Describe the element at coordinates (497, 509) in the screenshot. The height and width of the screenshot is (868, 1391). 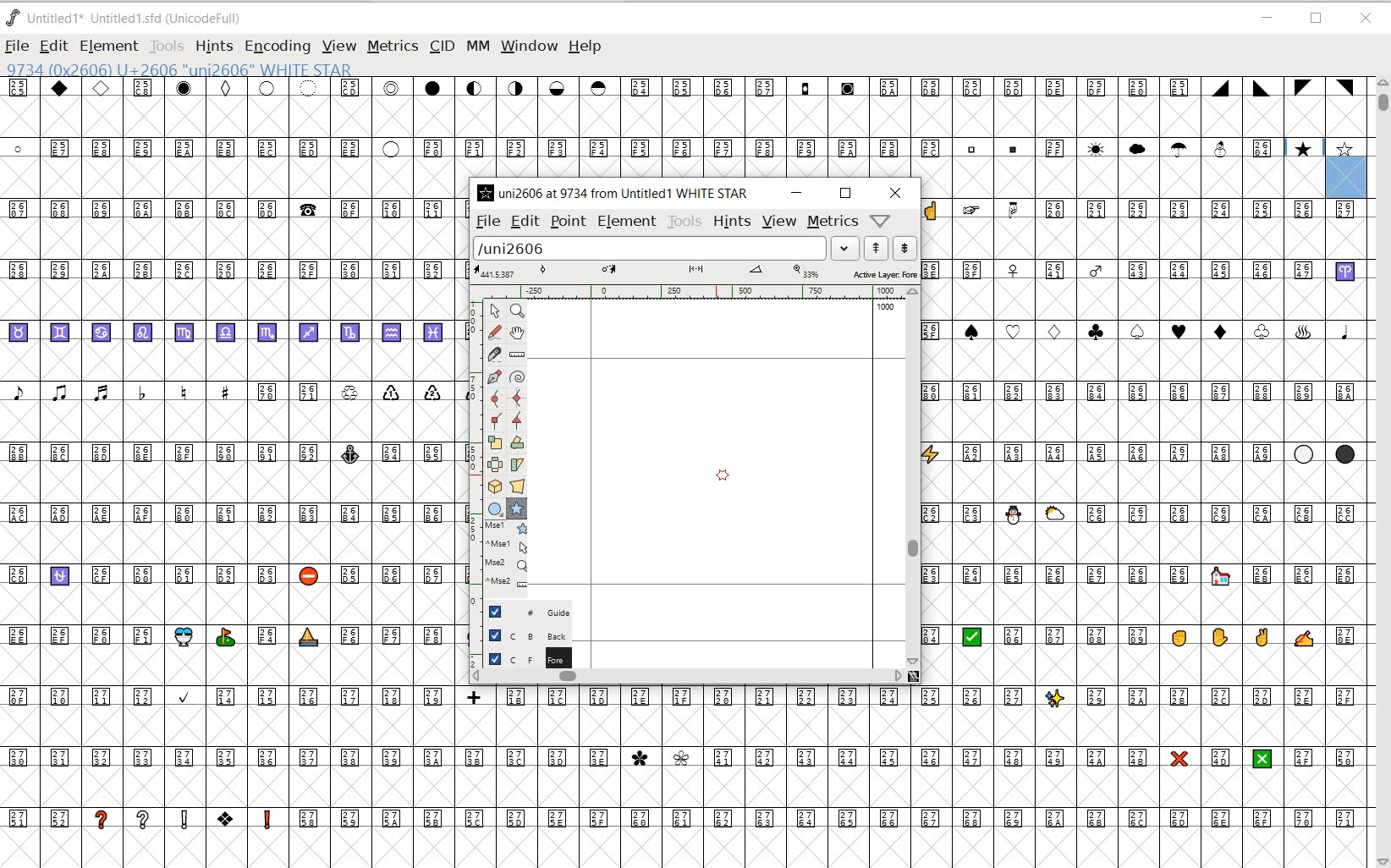
I see `RECTANGLE OR ELLIPSE` at that location.